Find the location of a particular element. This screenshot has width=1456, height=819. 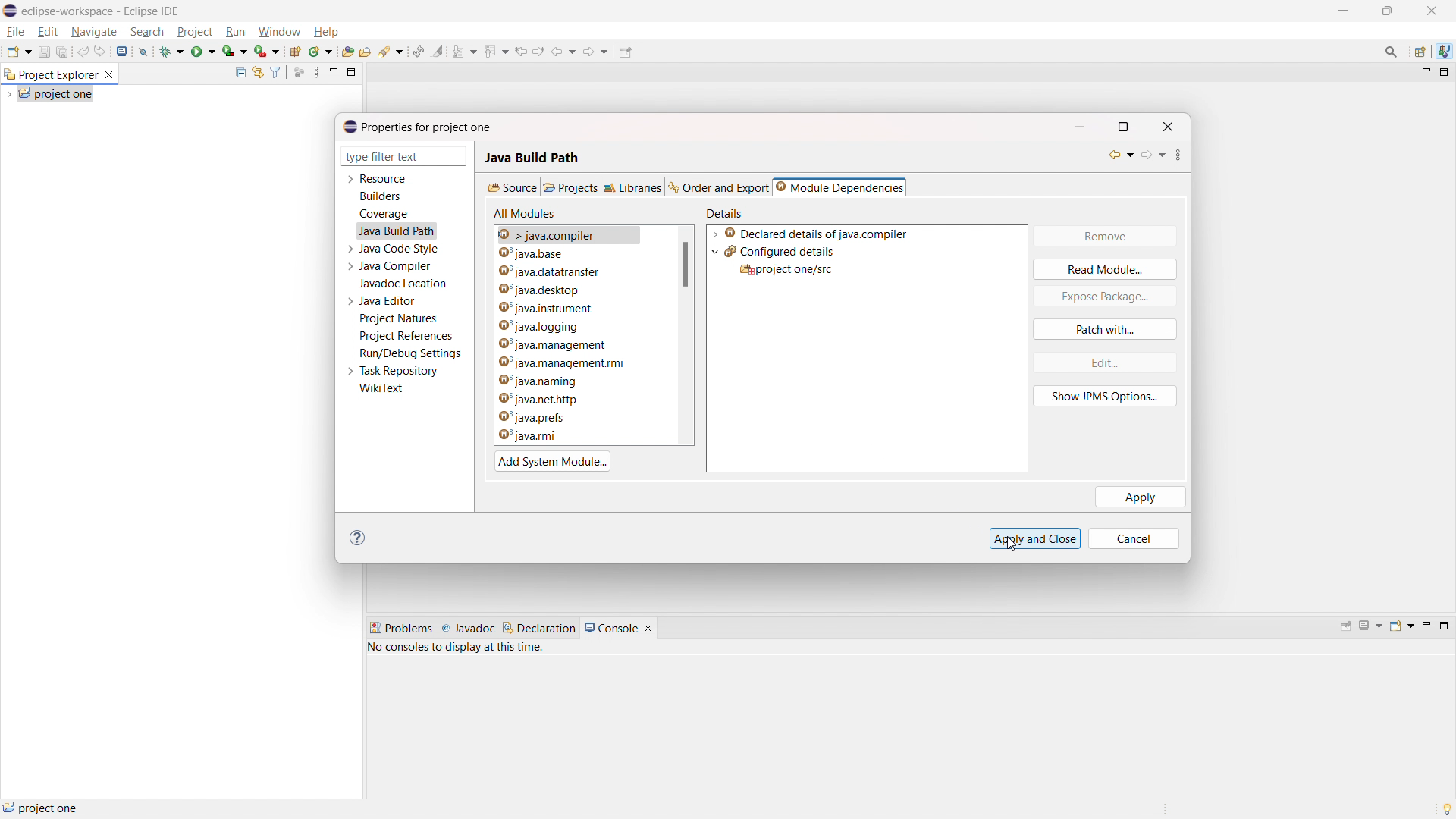

back is located at coordinates (1116, 155).